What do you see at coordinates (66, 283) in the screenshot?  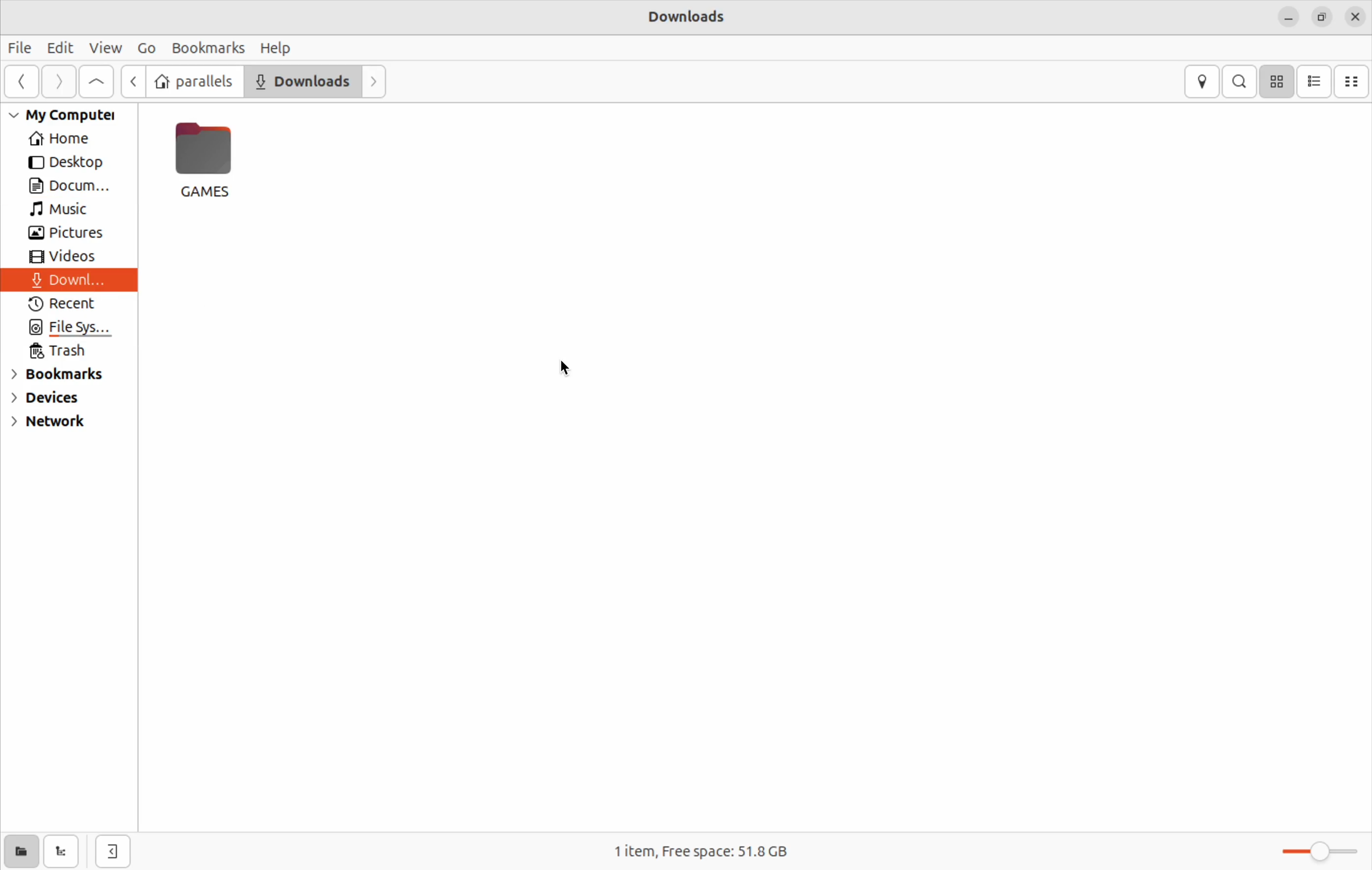 I see `Downloads` at bounding box center [66, 283].